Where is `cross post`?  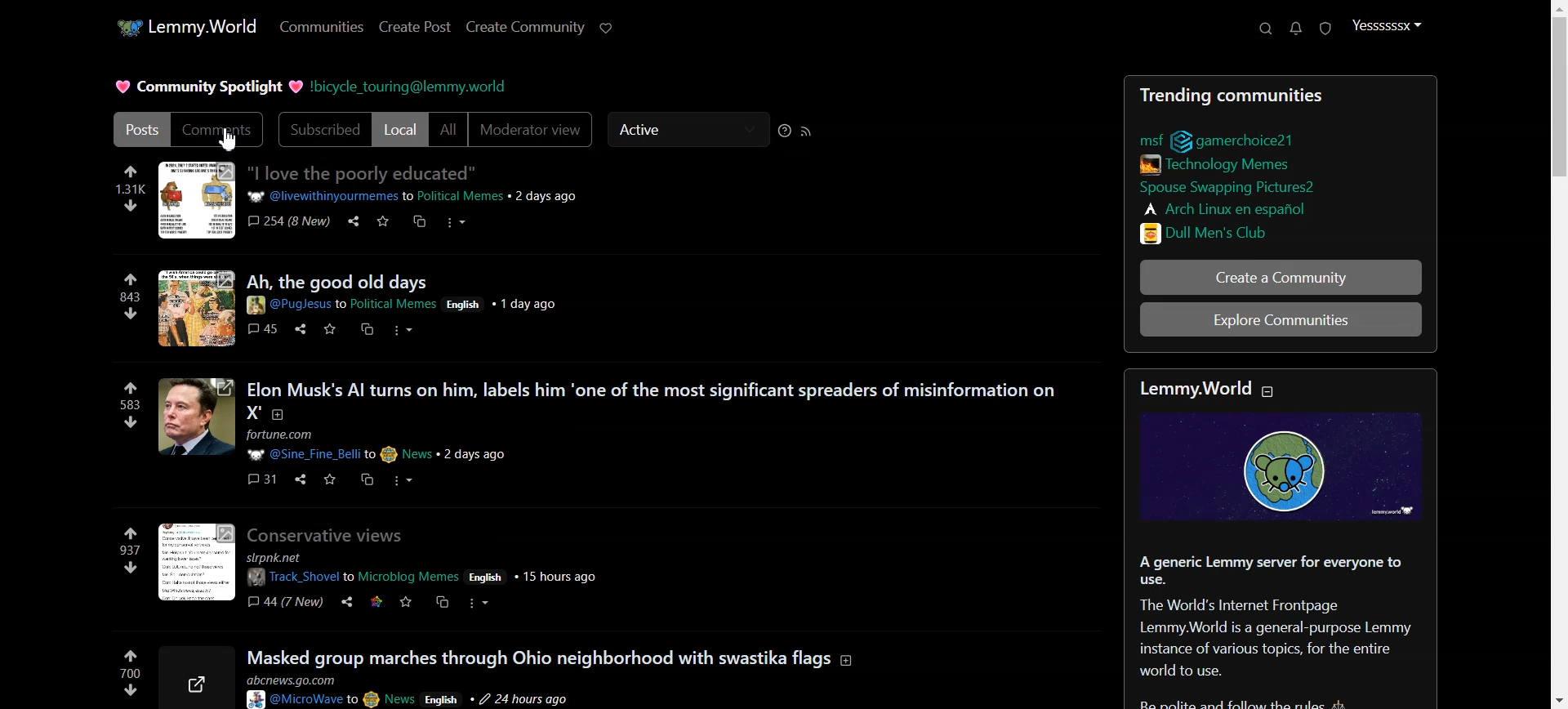 cross post is located at coordinates (440, 600).